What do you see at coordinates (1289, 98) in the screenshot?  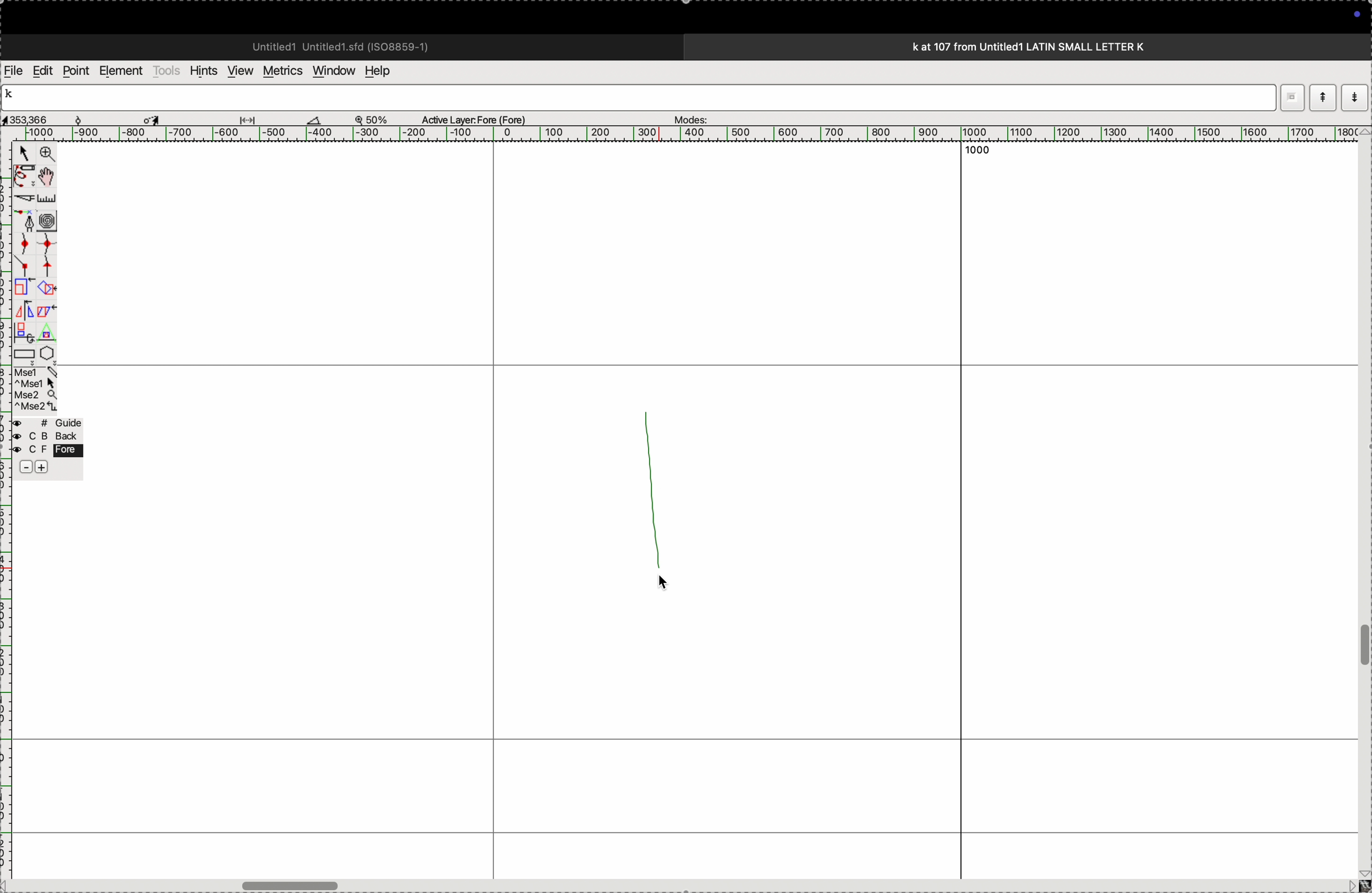 I see `restore down` at bounding box center [1289, 98].